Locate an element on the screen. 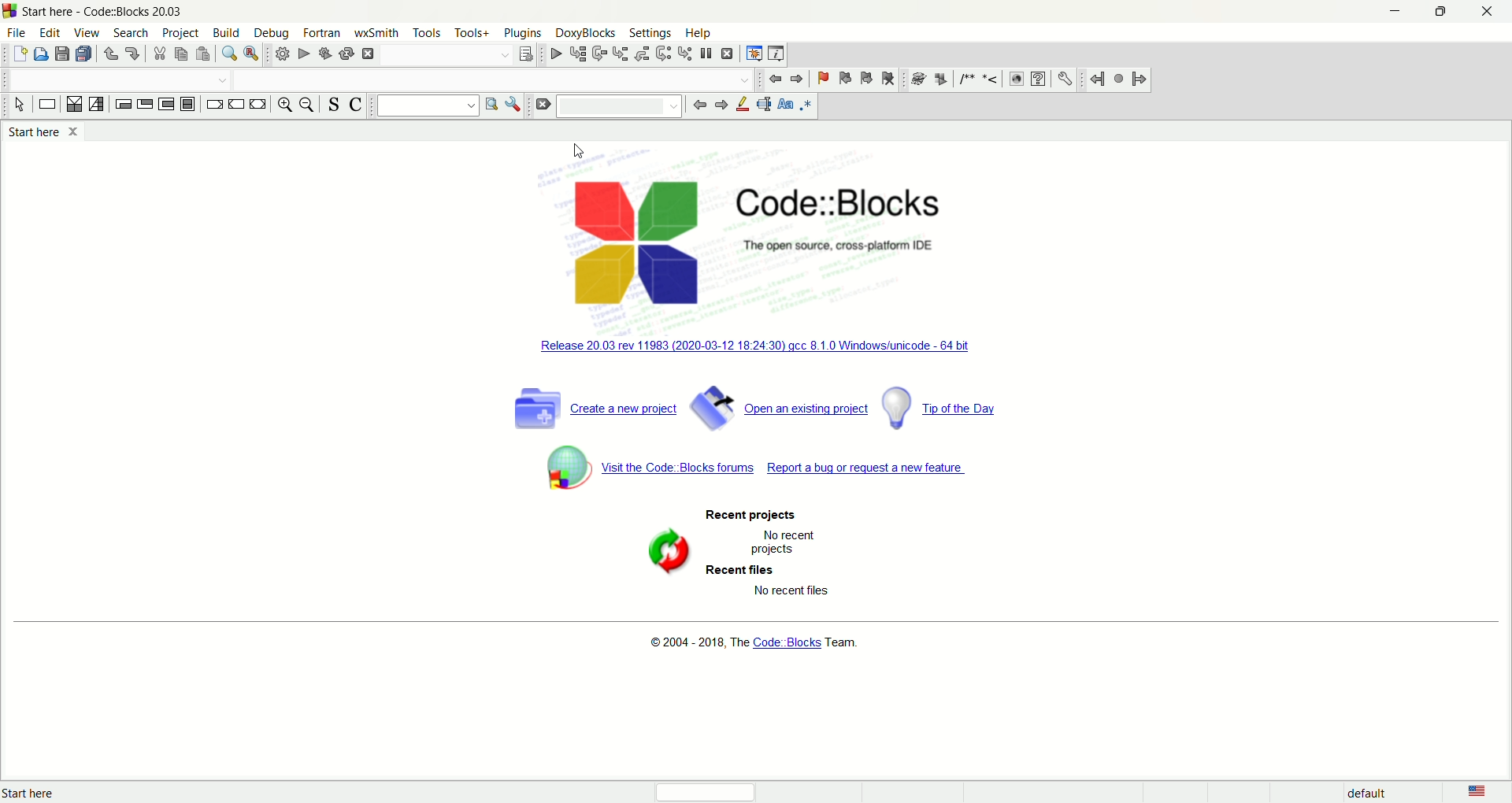 This screenshot has width=1512, height=803. debug is located at coordinates (272, 32).